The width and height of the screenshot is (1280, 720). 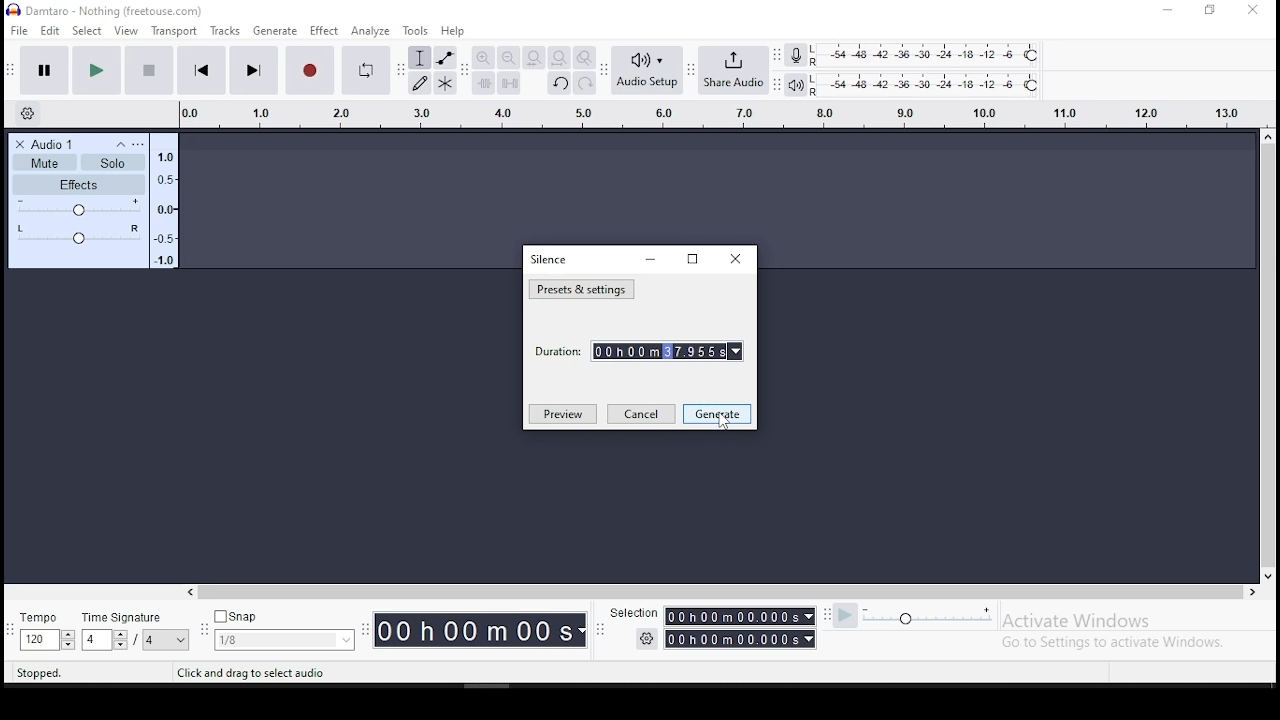 I want to click on multi tool, so click(x=445, y=83).